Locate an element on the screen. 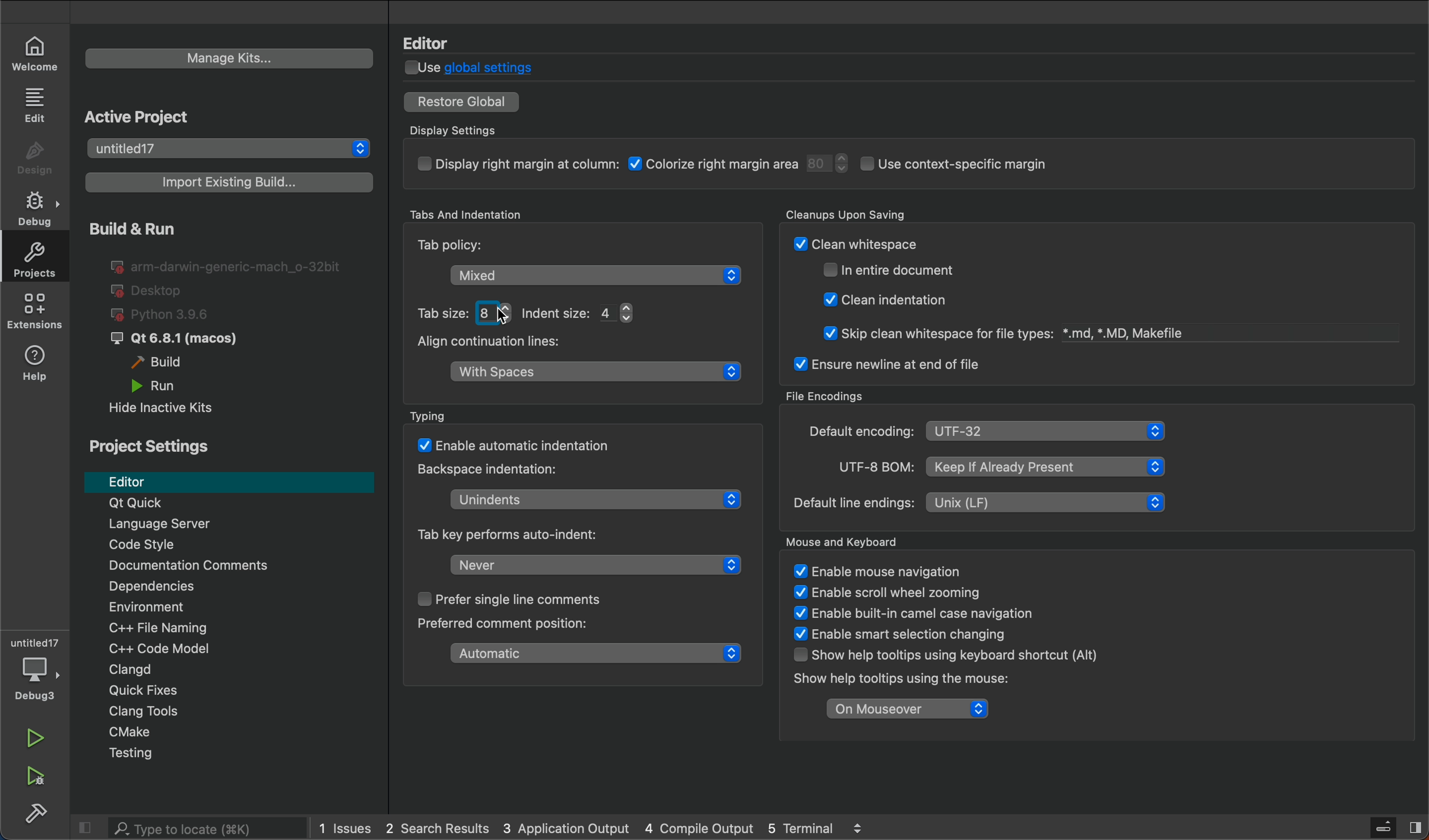 The width and height of the screenshot is (1429, 840). key performs is located at coordinates (519, 534).